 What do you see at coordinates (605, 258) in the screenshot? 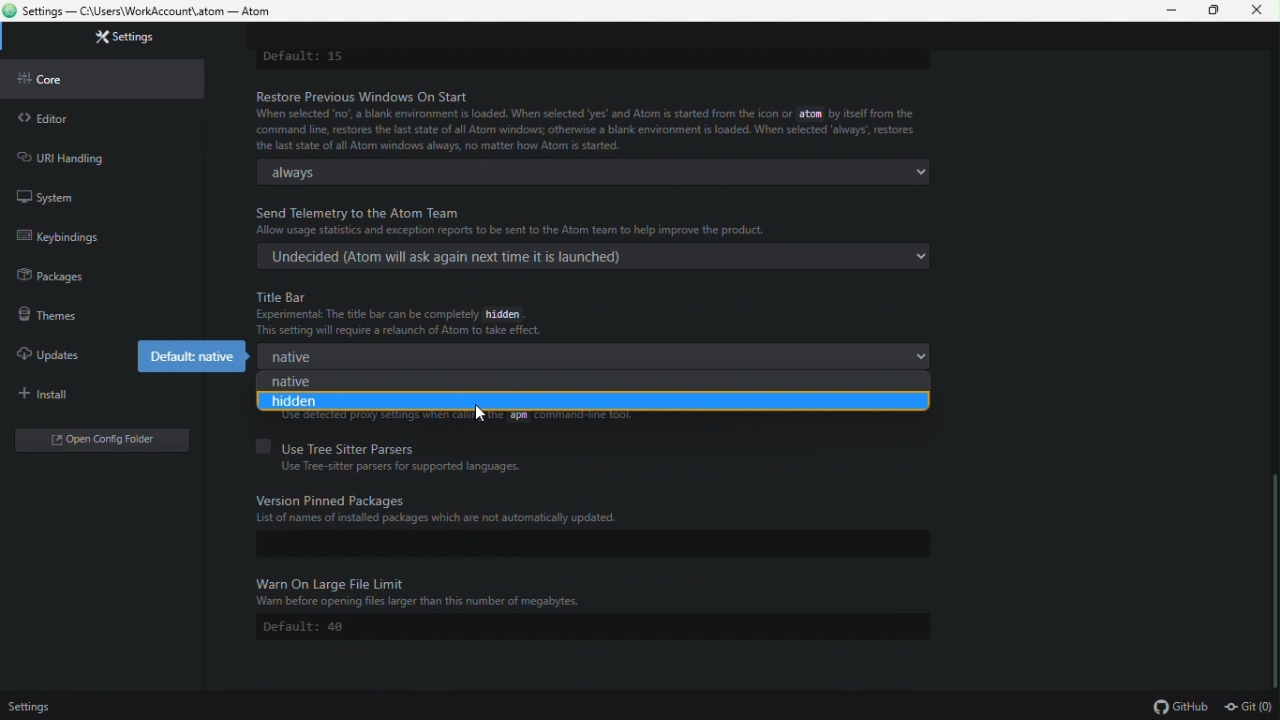
I see `Undecided (Atom will ask again next time it is launched) ` at bounding box center [605, 258].